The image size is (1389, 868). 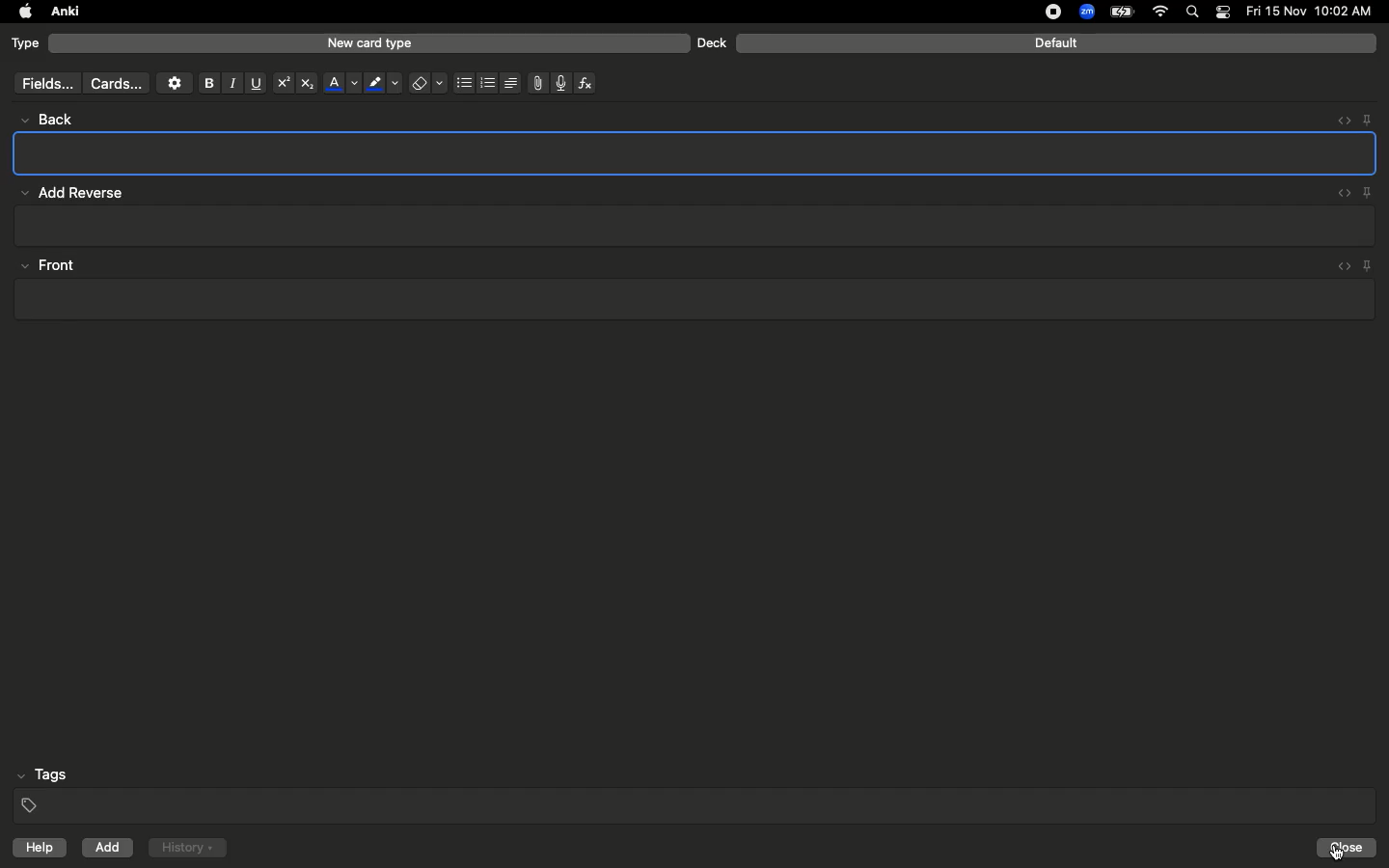 What do you see at coordinates (1121, 12) in the screenshot?
I see `Charge` at bounding box center [1121, 12].